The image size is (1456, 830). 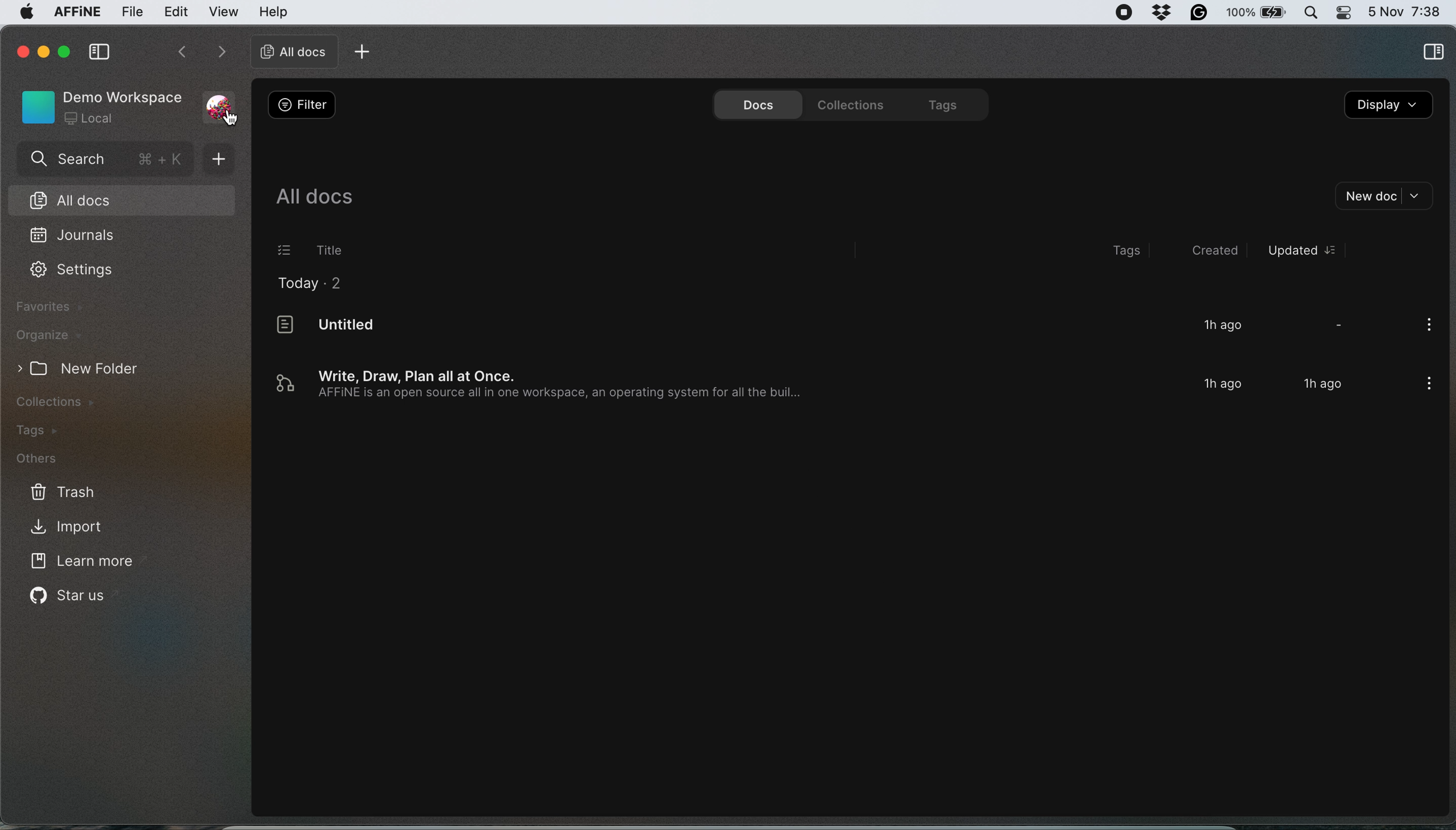 What do you see at coordinates (46, 430) in the screenshot?
I see `tags` at bounding box center [46, 430].